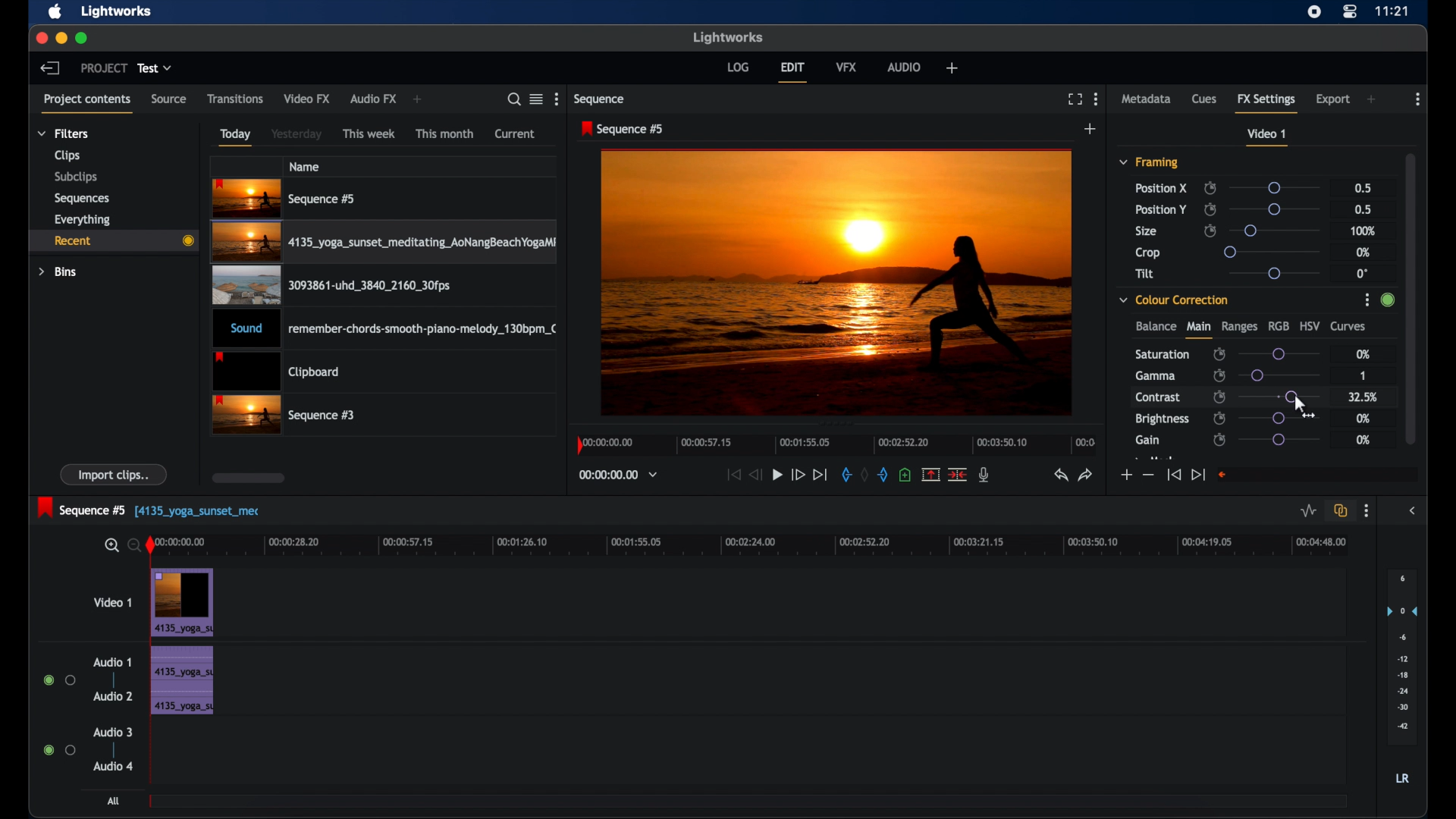 The width and height of the screenshot is (1456, 819). Describe the element at coordinates (1161, 188) in the screenshot. I see `position x` at that location.